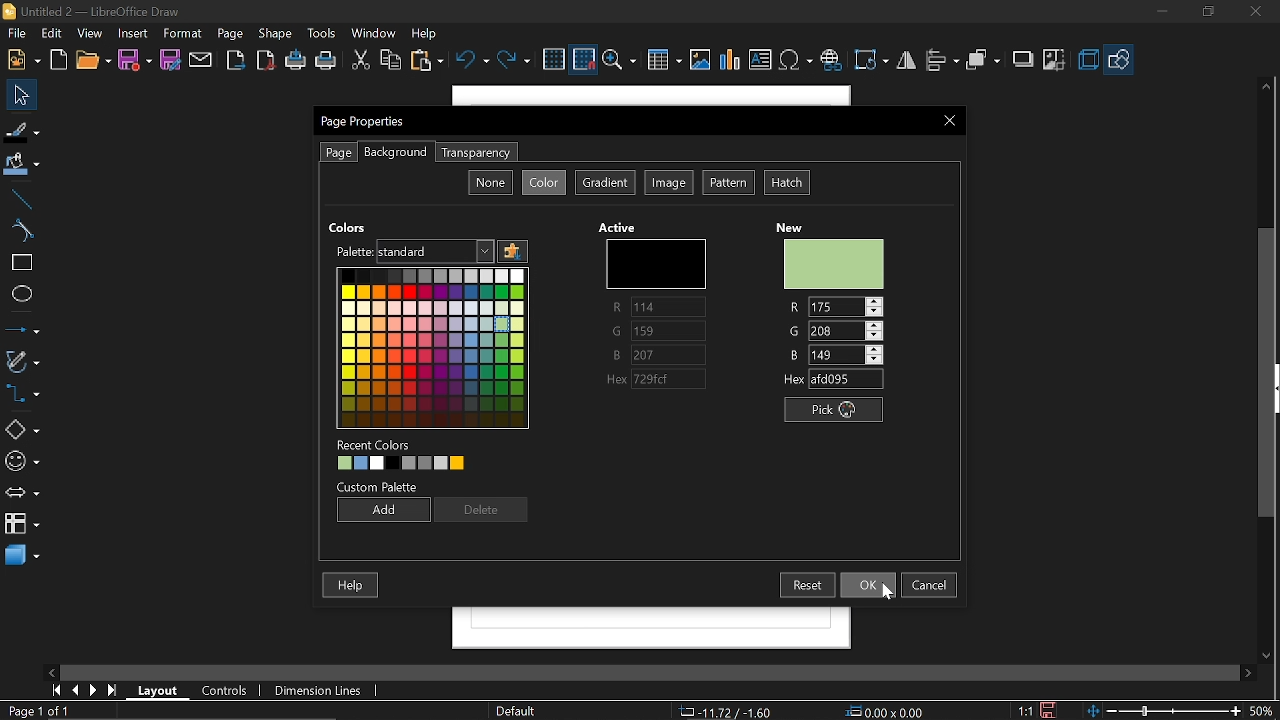  What do you see at coordinates (514, 62) in the screenshot?
I see `Redo` at bounding box center [514, 62].